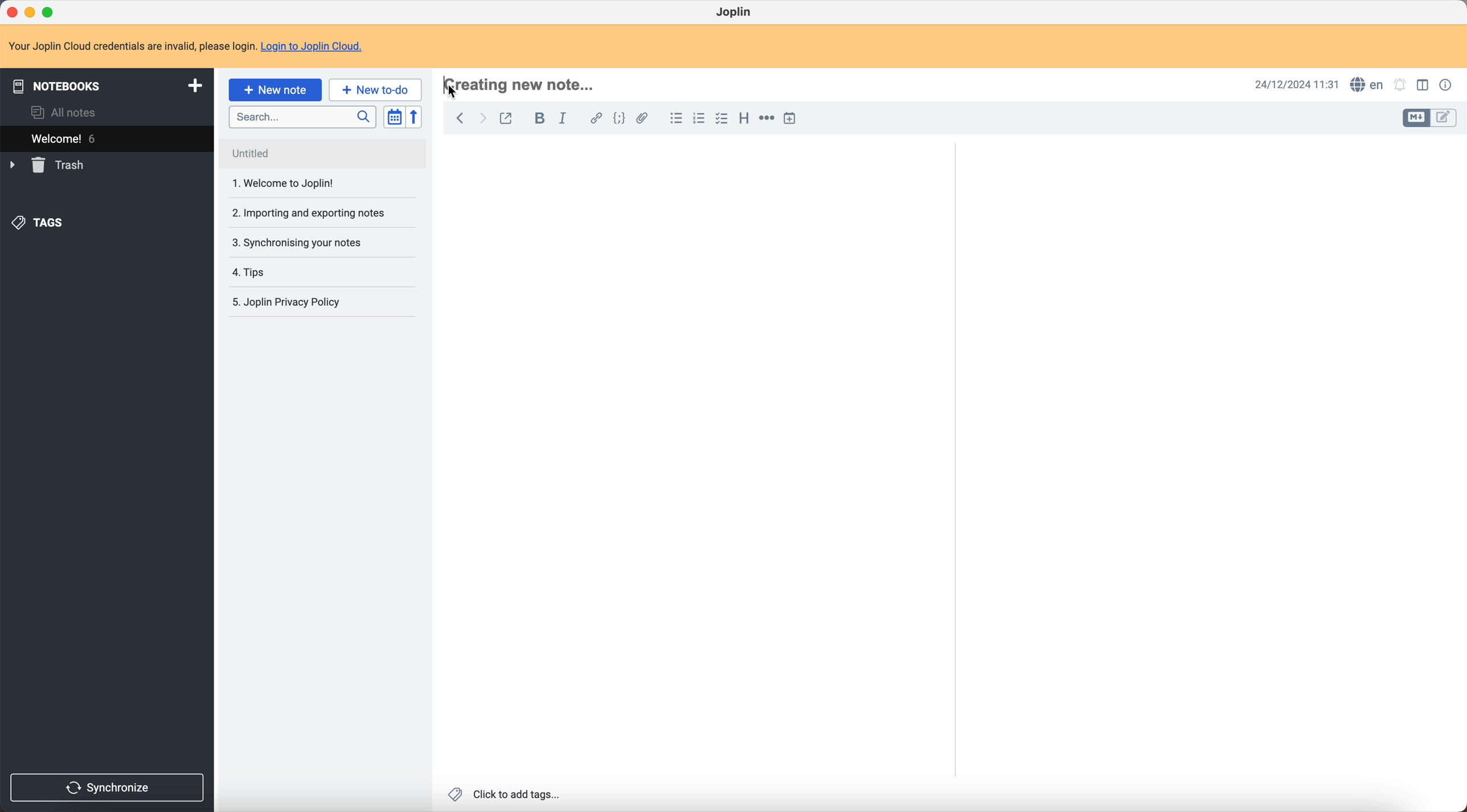 The image size is (1467, 812). Describe the element at coordinates (483, 119) in the screenshot. I see `foward` at that location.